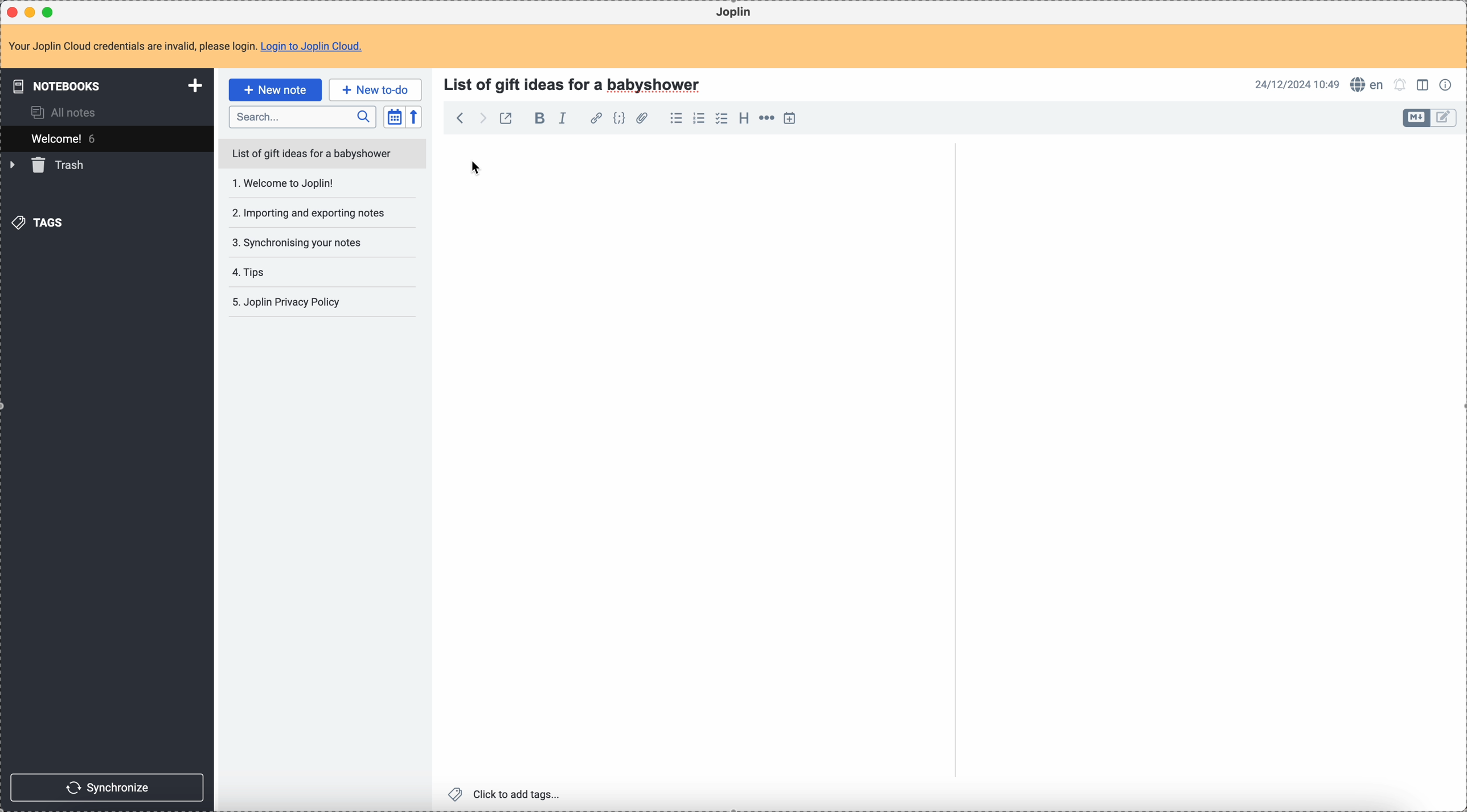  What do you see at coordinates (1448, 84) in the screenshot?
I see `note properties` at bounding box center [1448, 84].